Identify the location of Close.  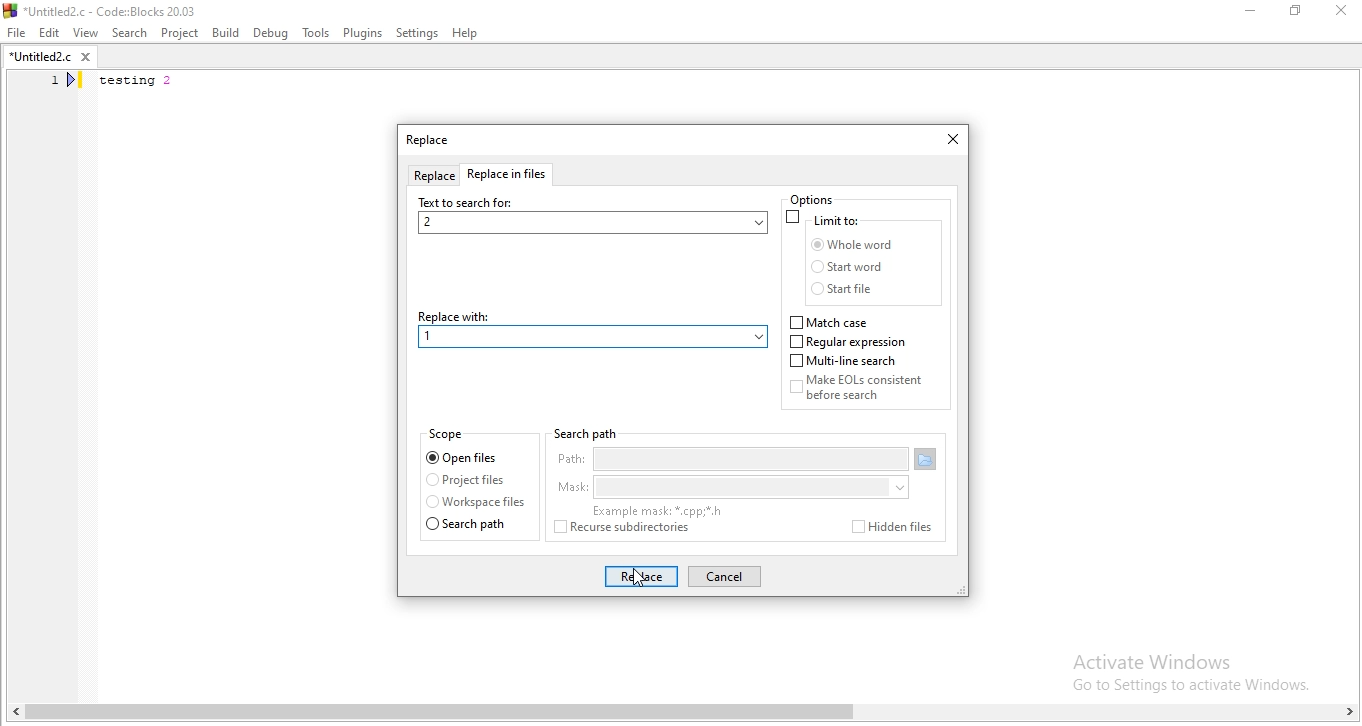
(1343, 12).